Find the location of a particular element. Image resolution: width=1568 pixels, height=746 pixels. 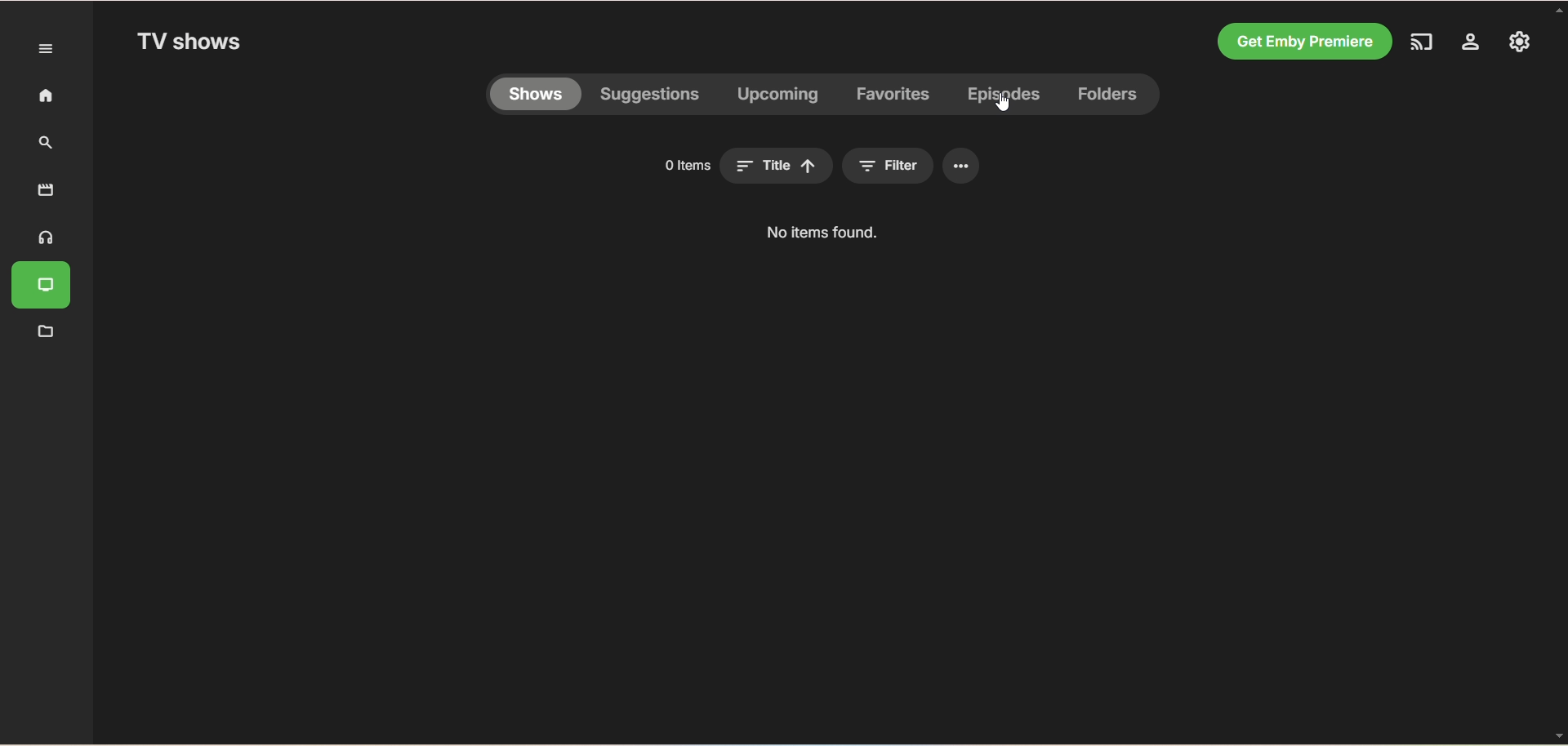

shows is located at coordinates (541, 96).